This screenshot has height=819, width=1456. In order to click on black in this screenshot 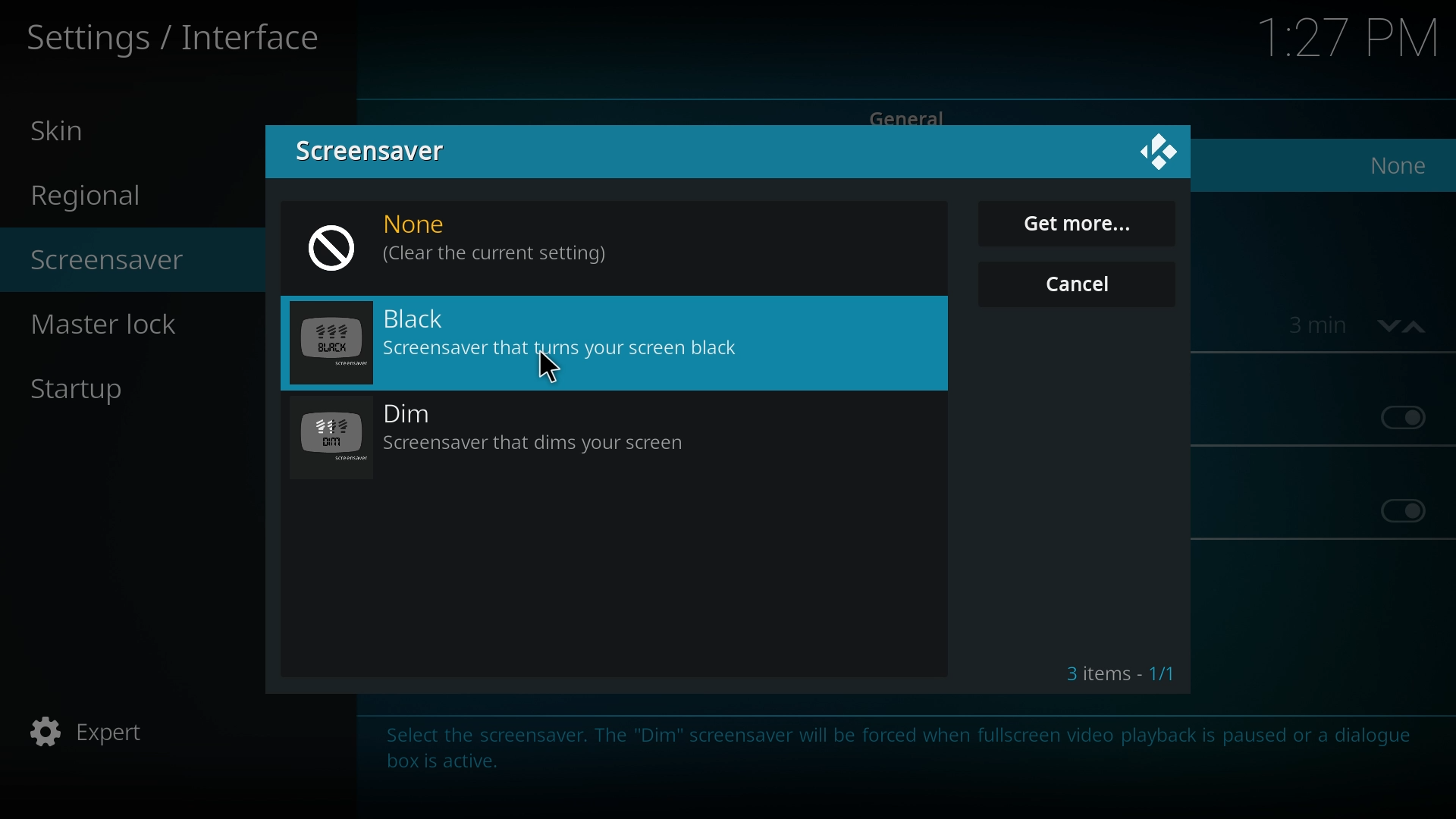, I will do `click(522, 342)`.